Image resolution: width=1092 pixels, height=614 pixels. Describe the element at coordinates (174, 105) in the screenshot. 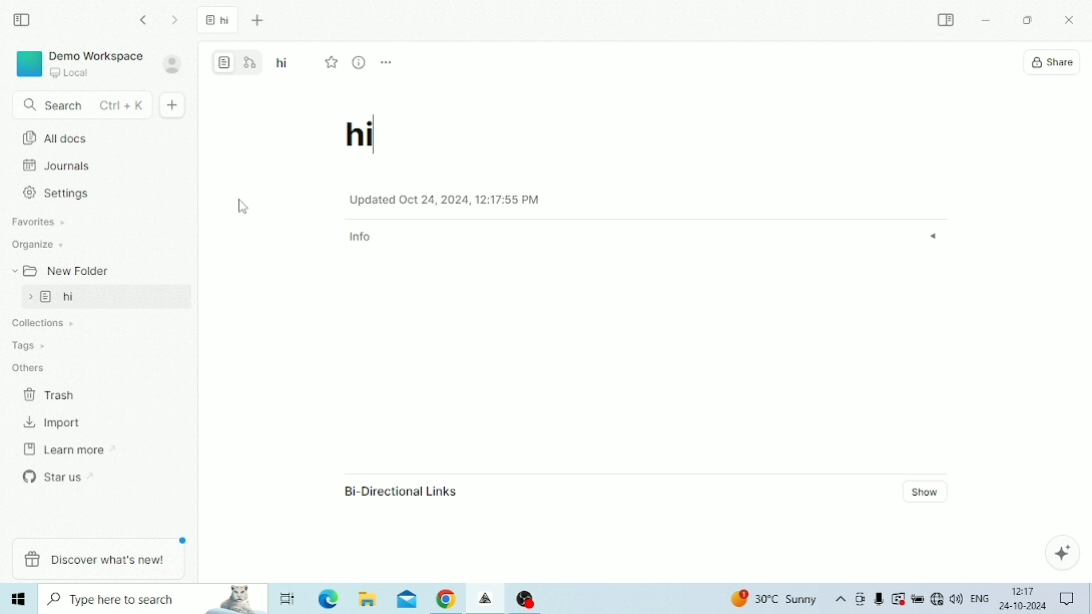

I see `New doc` at that location.